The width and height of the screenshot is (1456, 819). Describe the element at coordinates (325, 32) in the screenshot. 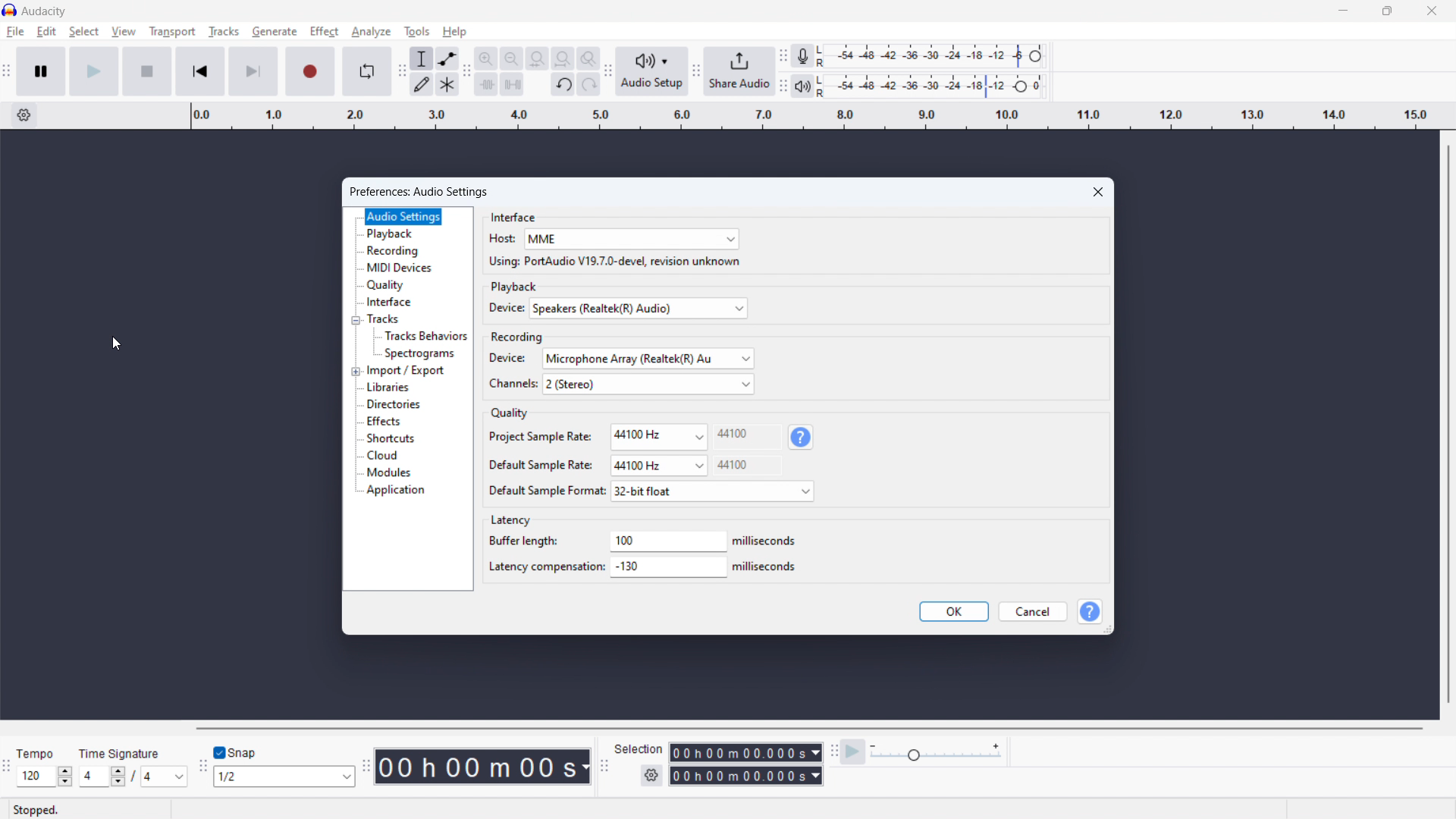

I see `effect` at that location.